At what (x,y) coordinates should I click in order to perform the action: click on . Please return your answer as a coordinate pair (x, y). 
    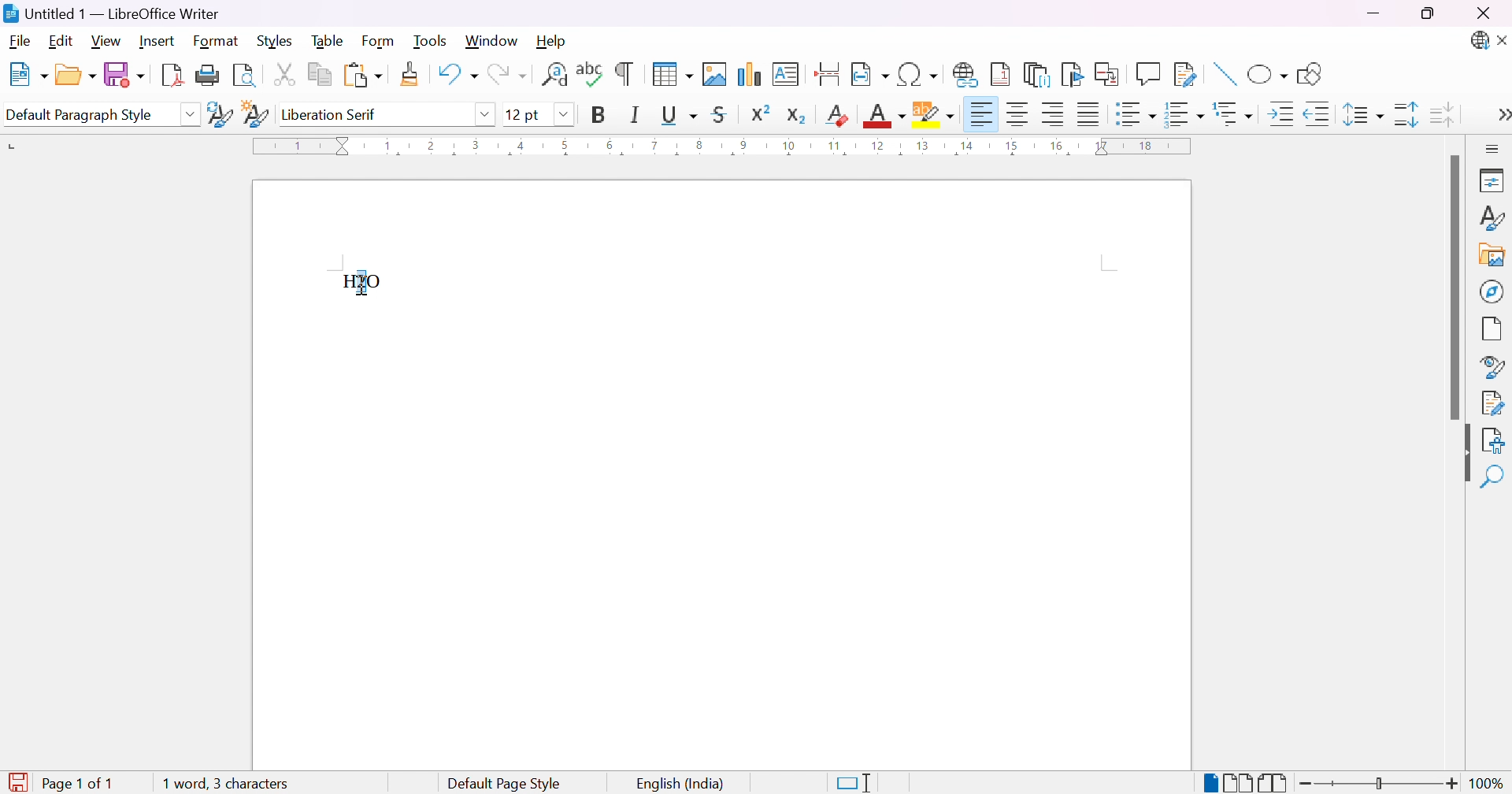
    Looking at the image, I should click on (409, 74).